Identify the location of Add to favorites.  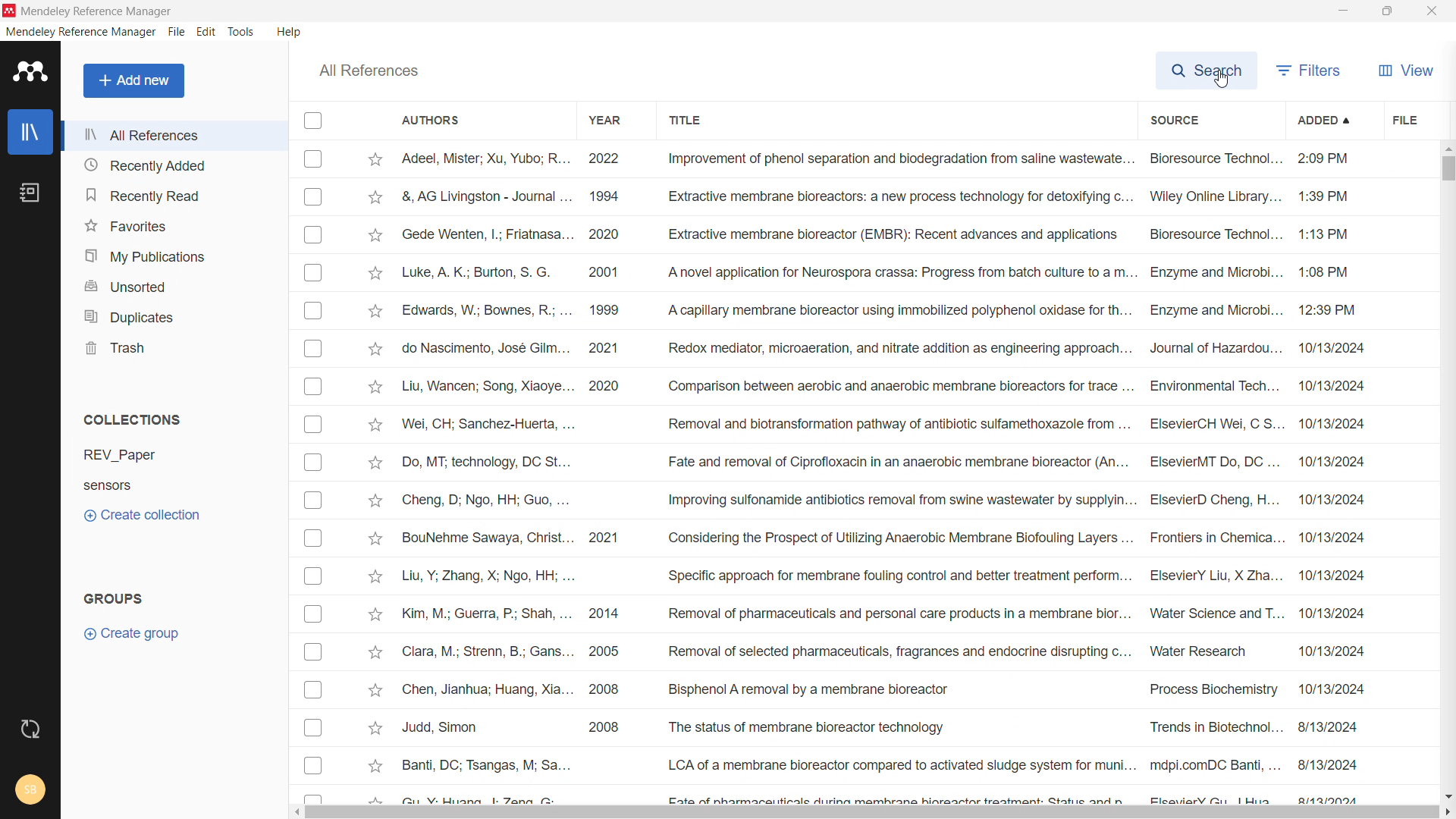
(375, 611).